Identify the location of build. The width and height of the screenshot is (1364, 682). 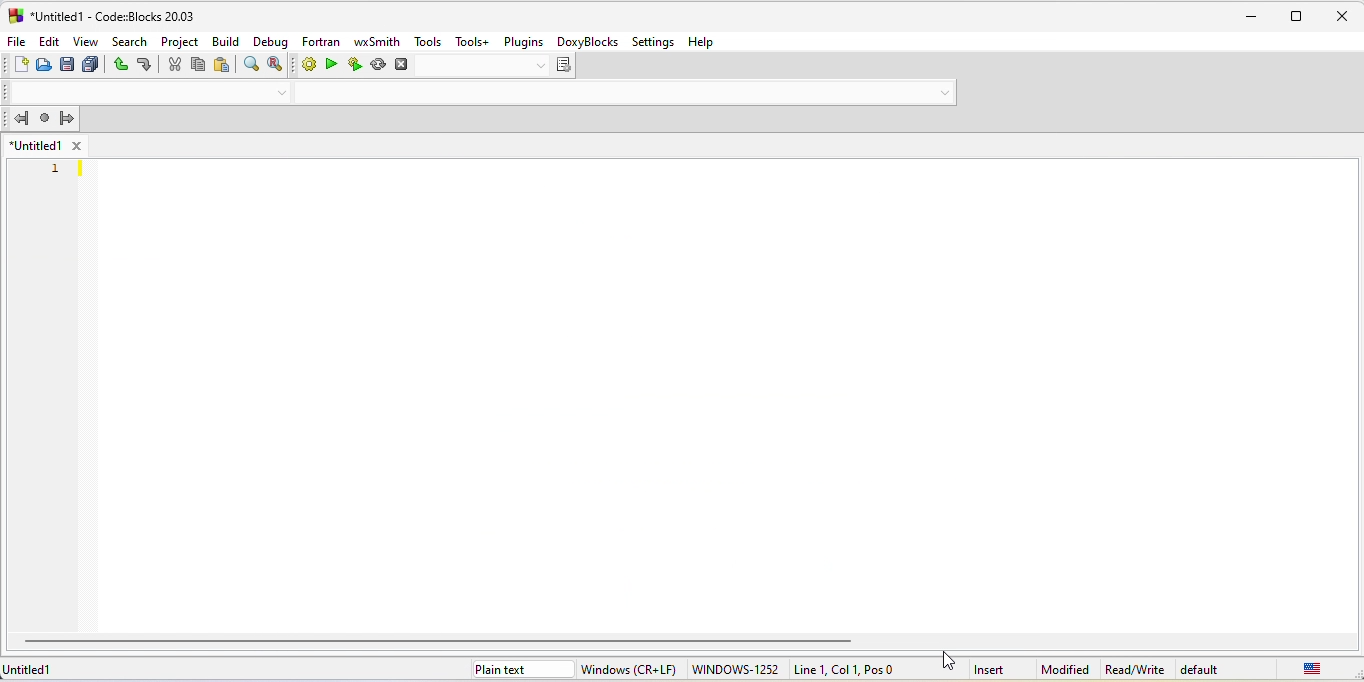
(308, 62).